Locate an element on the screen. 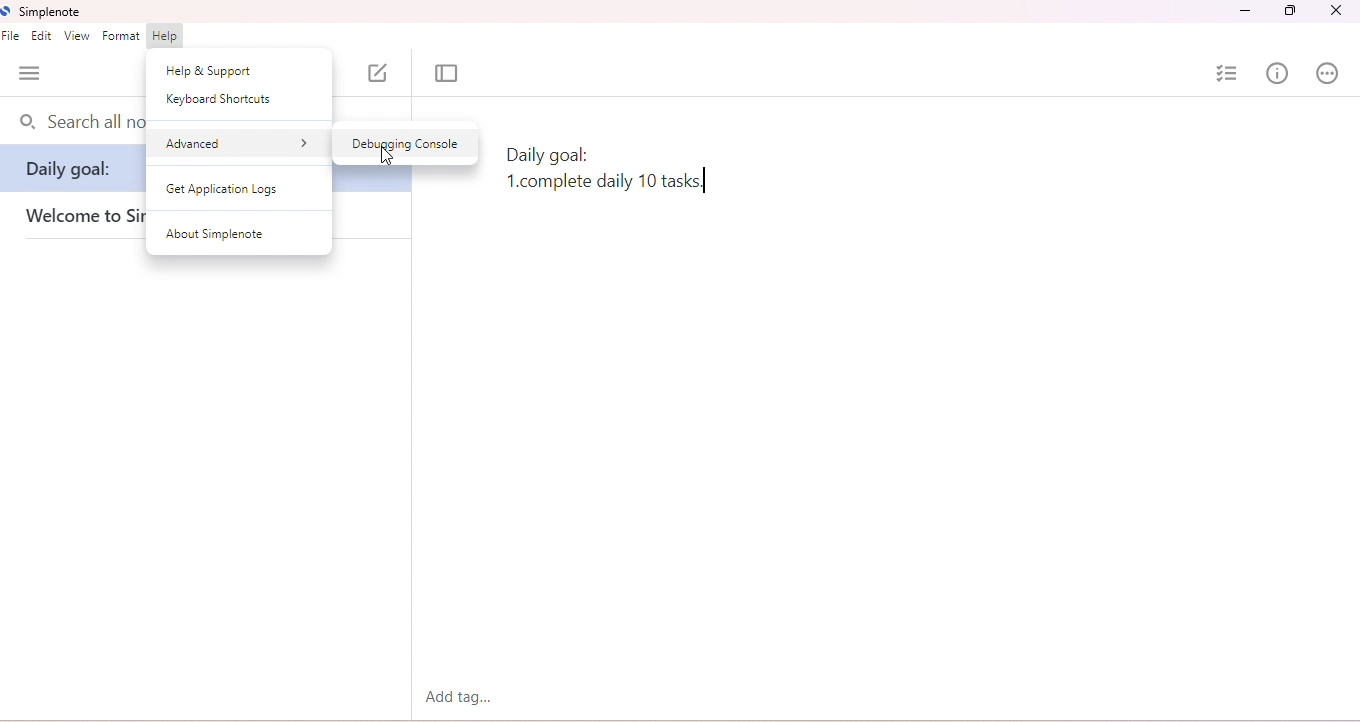 The height and width of the screenshot is (722, 1360). simplenote is located at coordinates (42, 11).